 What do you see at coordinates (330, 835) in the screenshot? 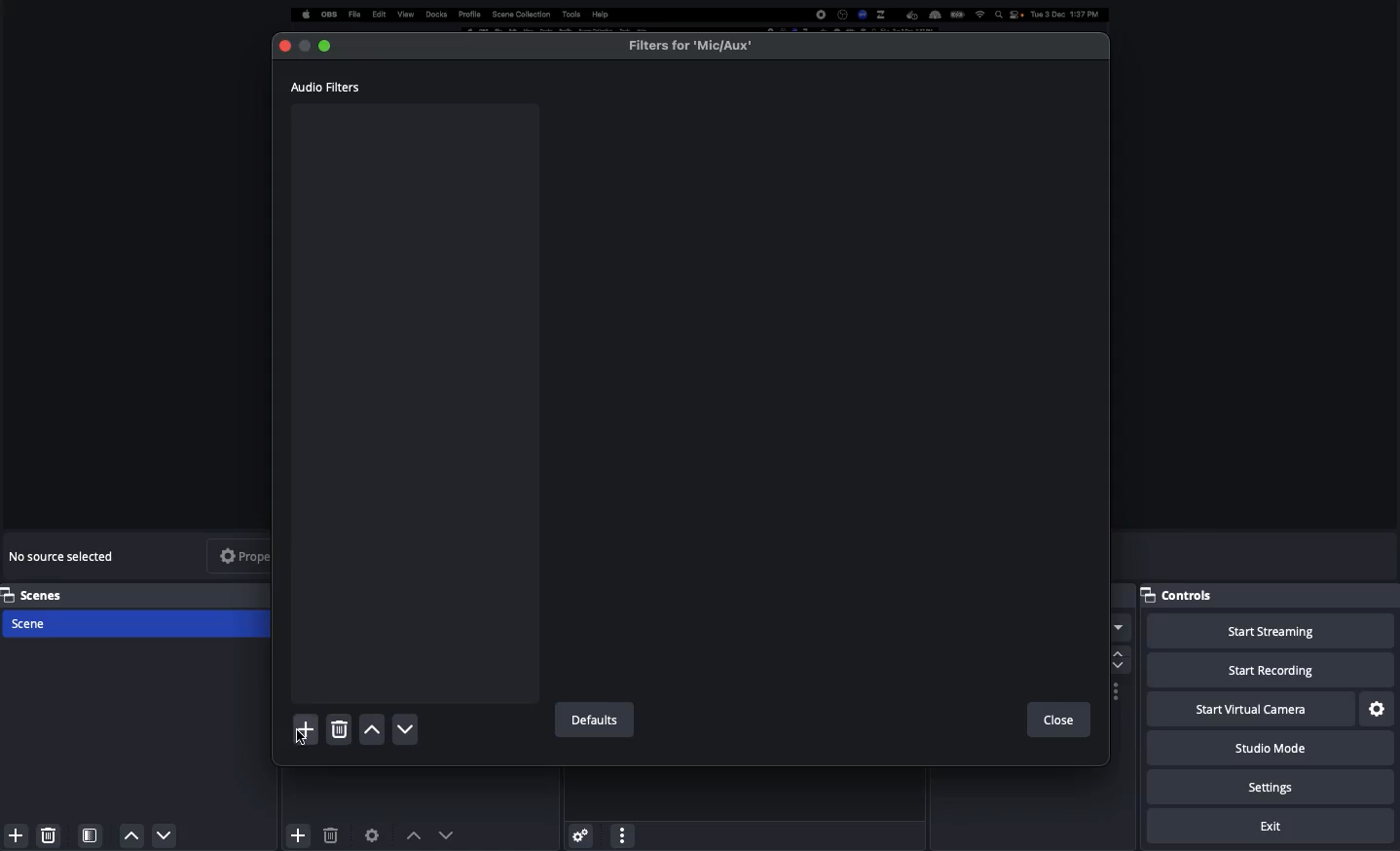
I see `Delete` at bounding box center [330, 835].